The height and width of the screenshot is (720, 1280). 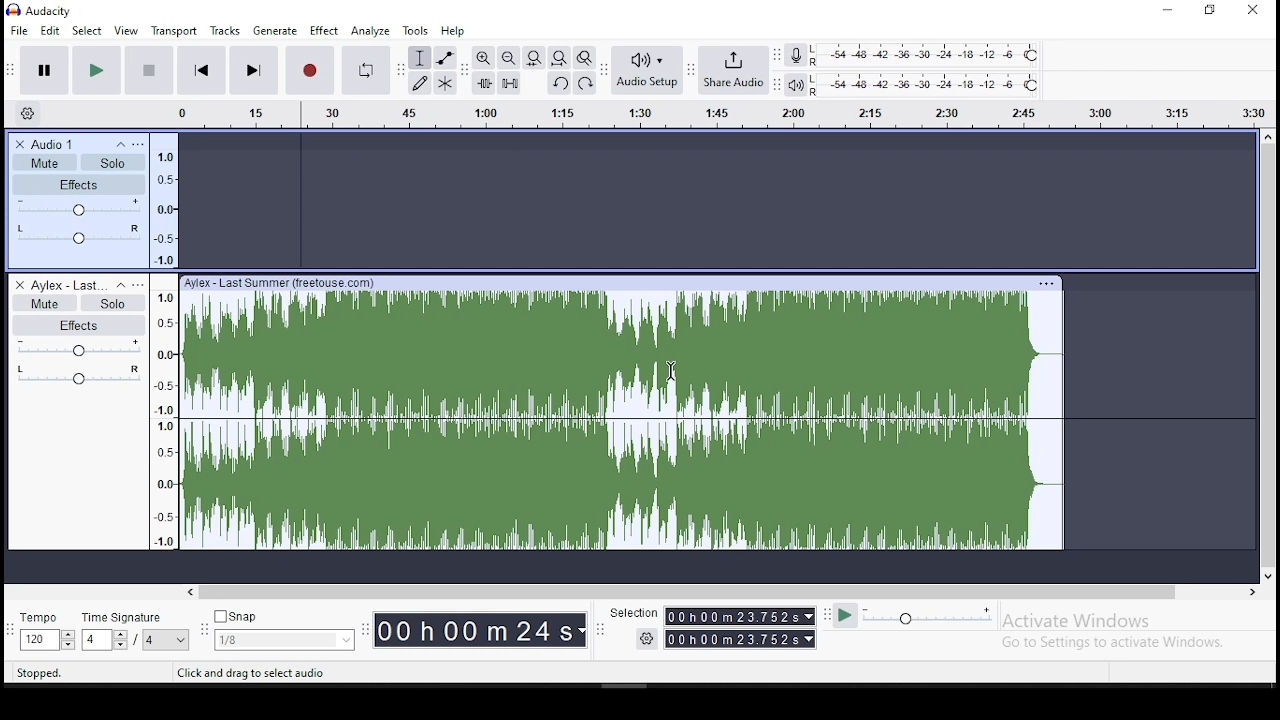 What do you see at coordinates (420, 57) in the screenshot?
I see `selection tool` at bounding box center [420, 57].